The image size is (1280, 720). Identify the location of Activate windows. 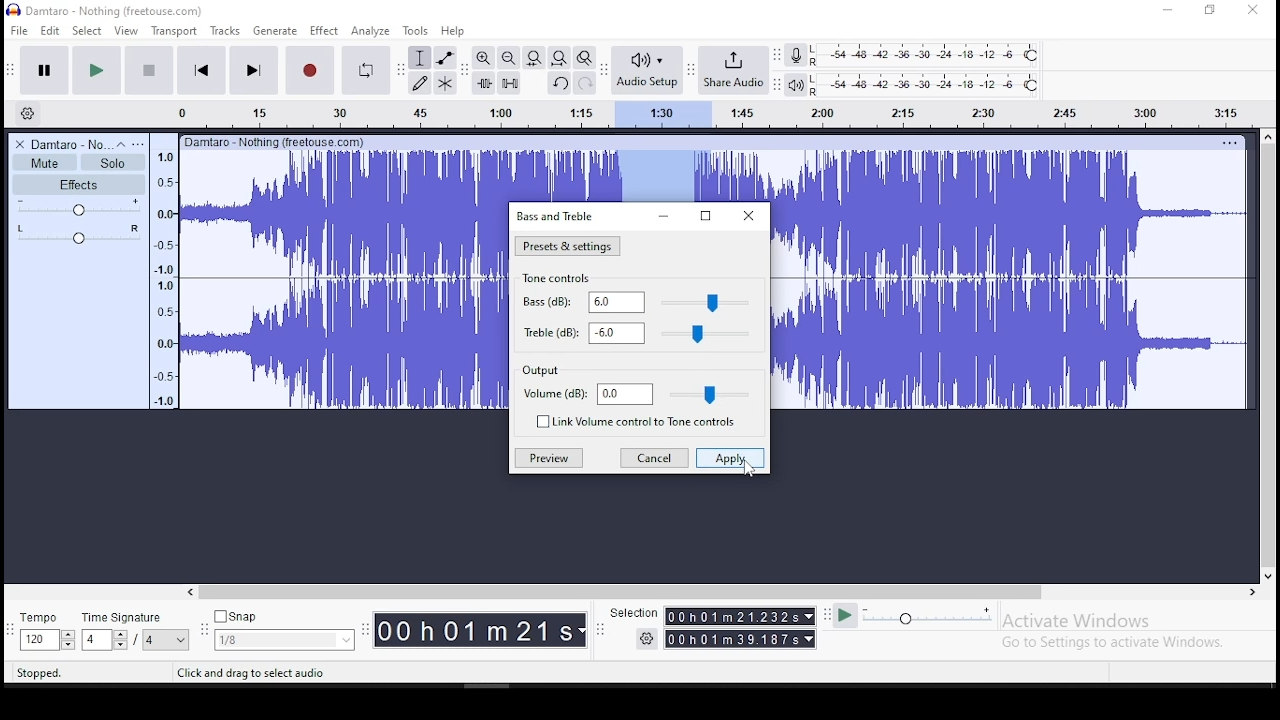
(1074, 621).